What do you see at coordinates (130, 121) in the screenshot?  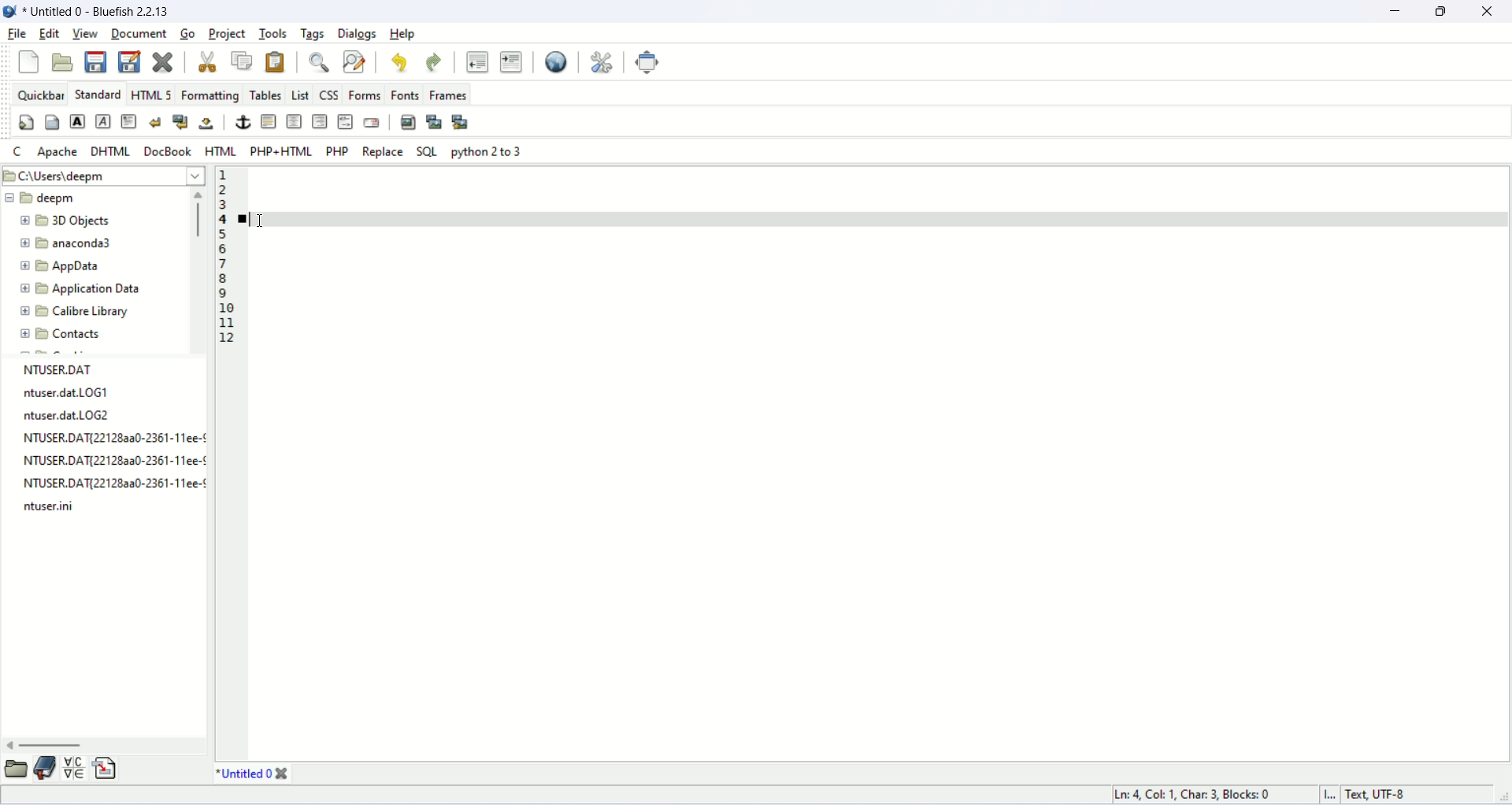 I see `paragraph` at bounding box center [130, 121].